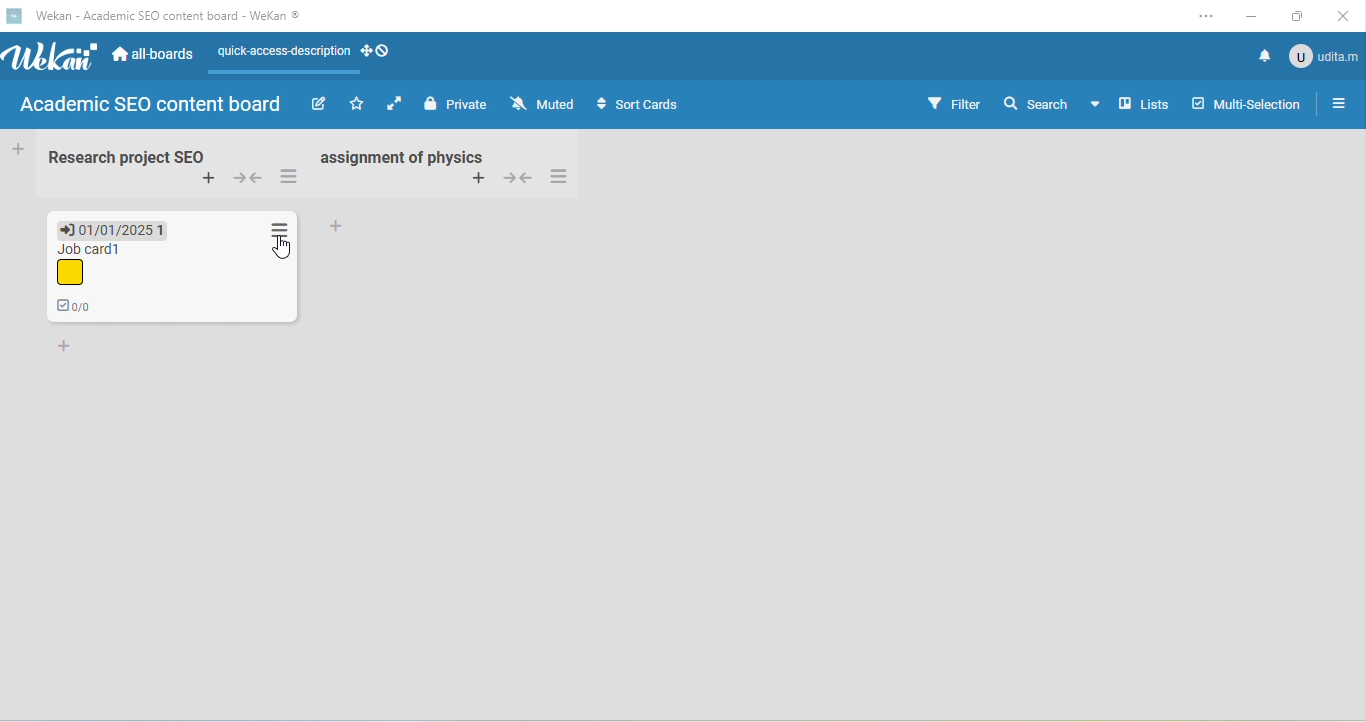 This screenshot has width=1366, height=722. I want to click on 0/0, so click(81, 307).